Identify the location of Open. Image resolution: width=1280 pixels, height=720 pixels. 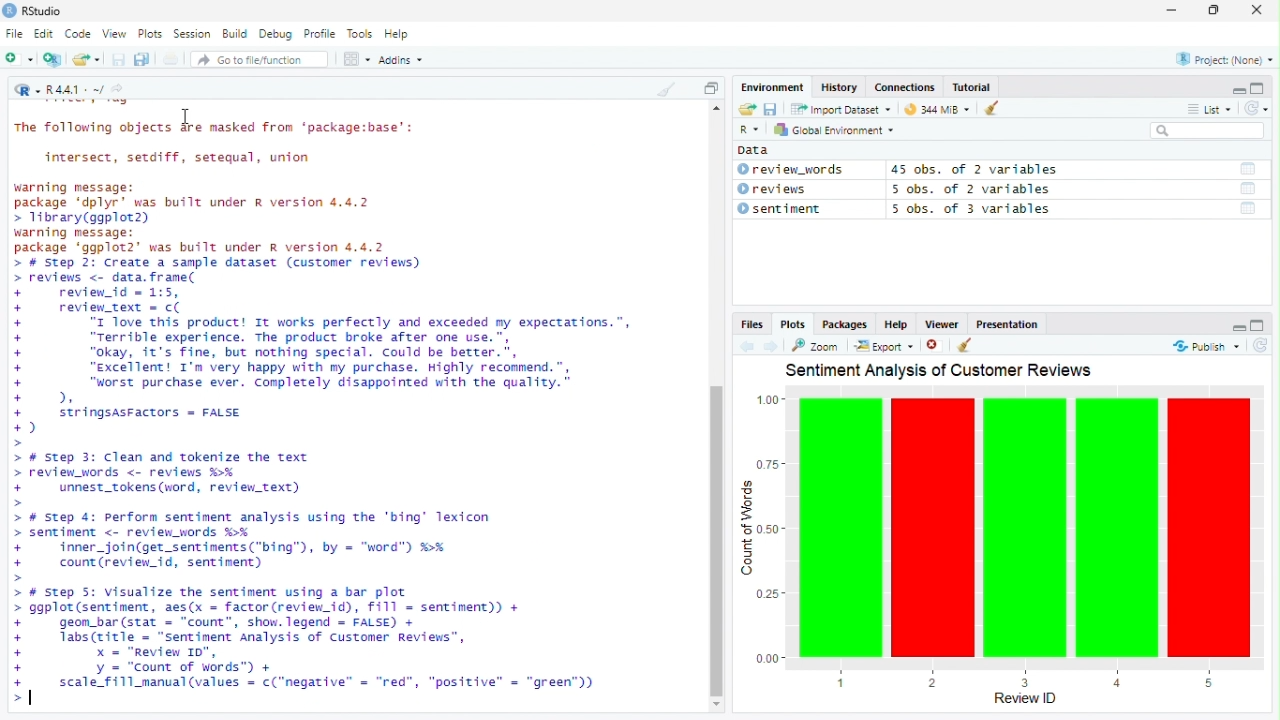
(748, 109).